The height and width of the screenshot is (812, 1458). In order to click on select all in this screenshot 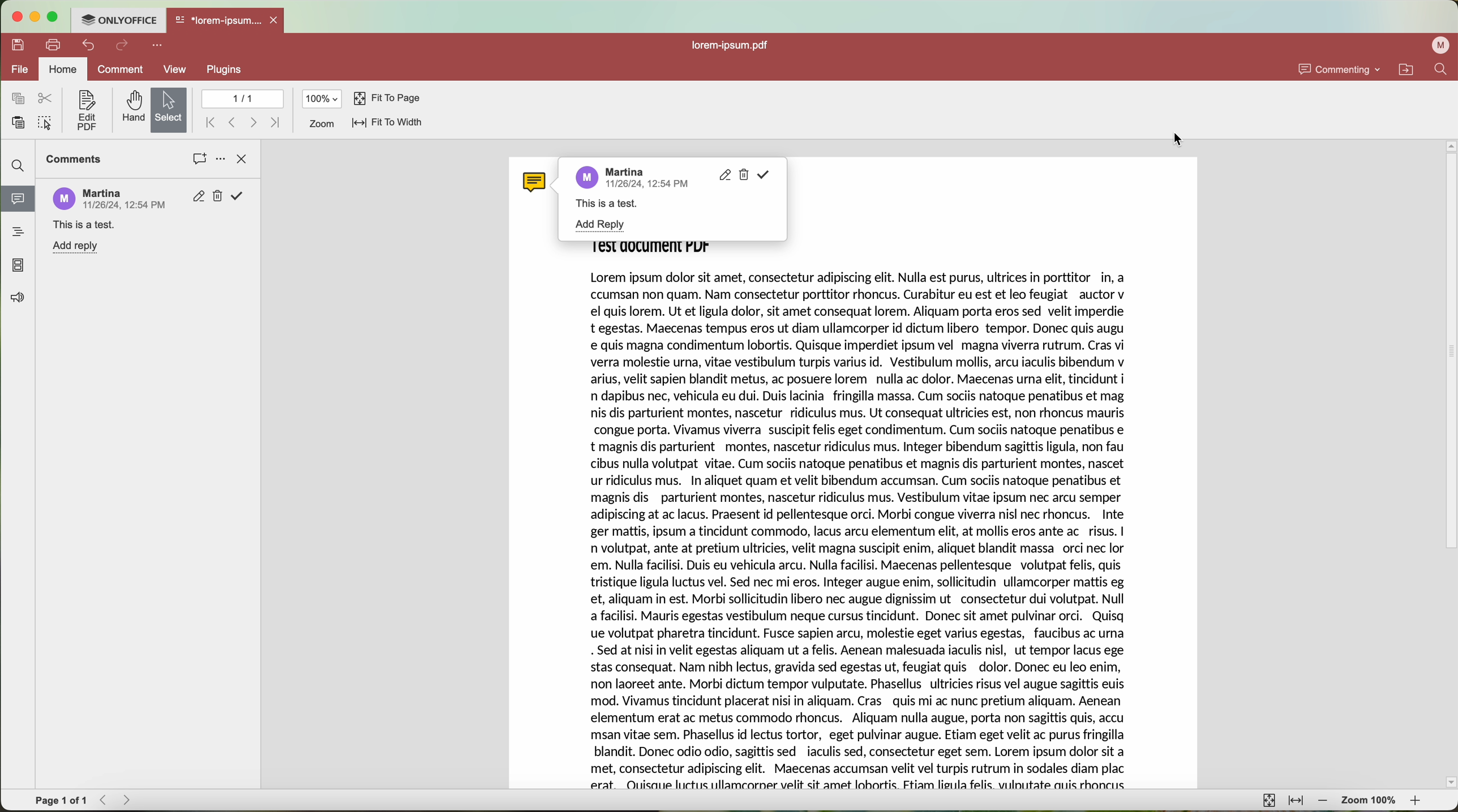, I will do `click(45, 124)`.